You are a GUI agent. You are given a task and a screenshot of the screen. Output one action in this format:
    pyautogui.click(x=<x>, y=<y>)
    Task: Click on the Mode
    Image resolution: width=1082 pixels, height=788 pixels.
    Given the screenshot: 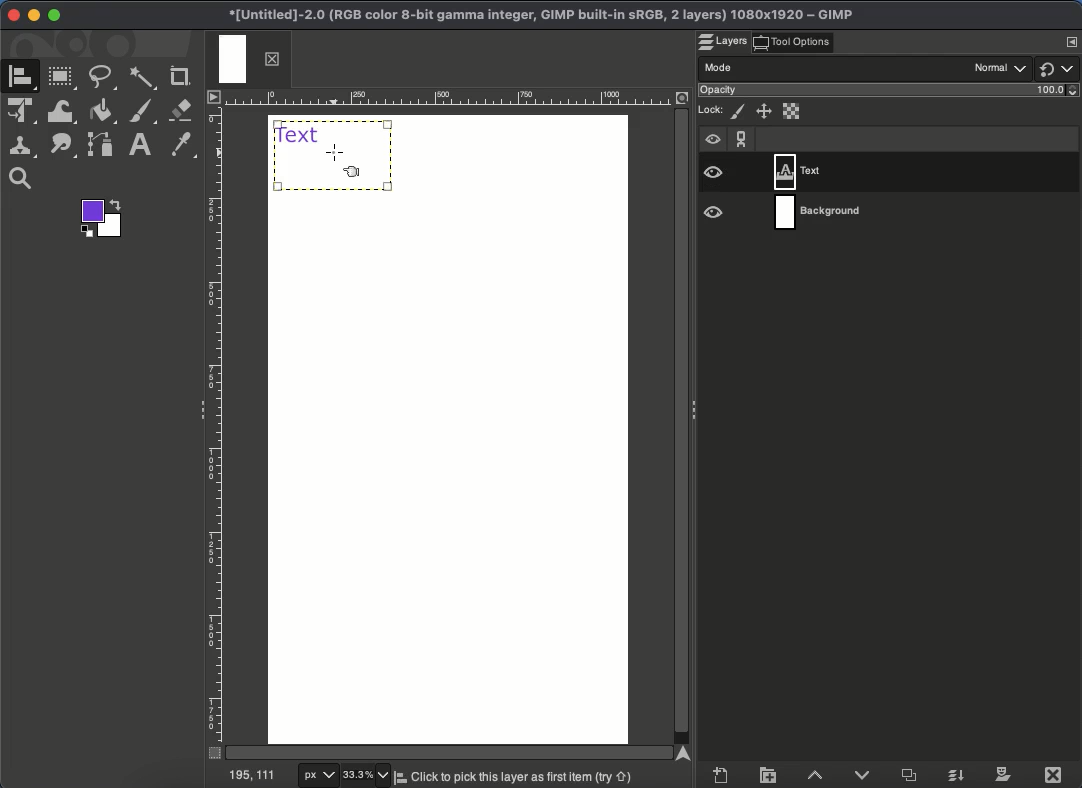 What is the action you would take?
    pyautogui.click(x=834, y=68)
    